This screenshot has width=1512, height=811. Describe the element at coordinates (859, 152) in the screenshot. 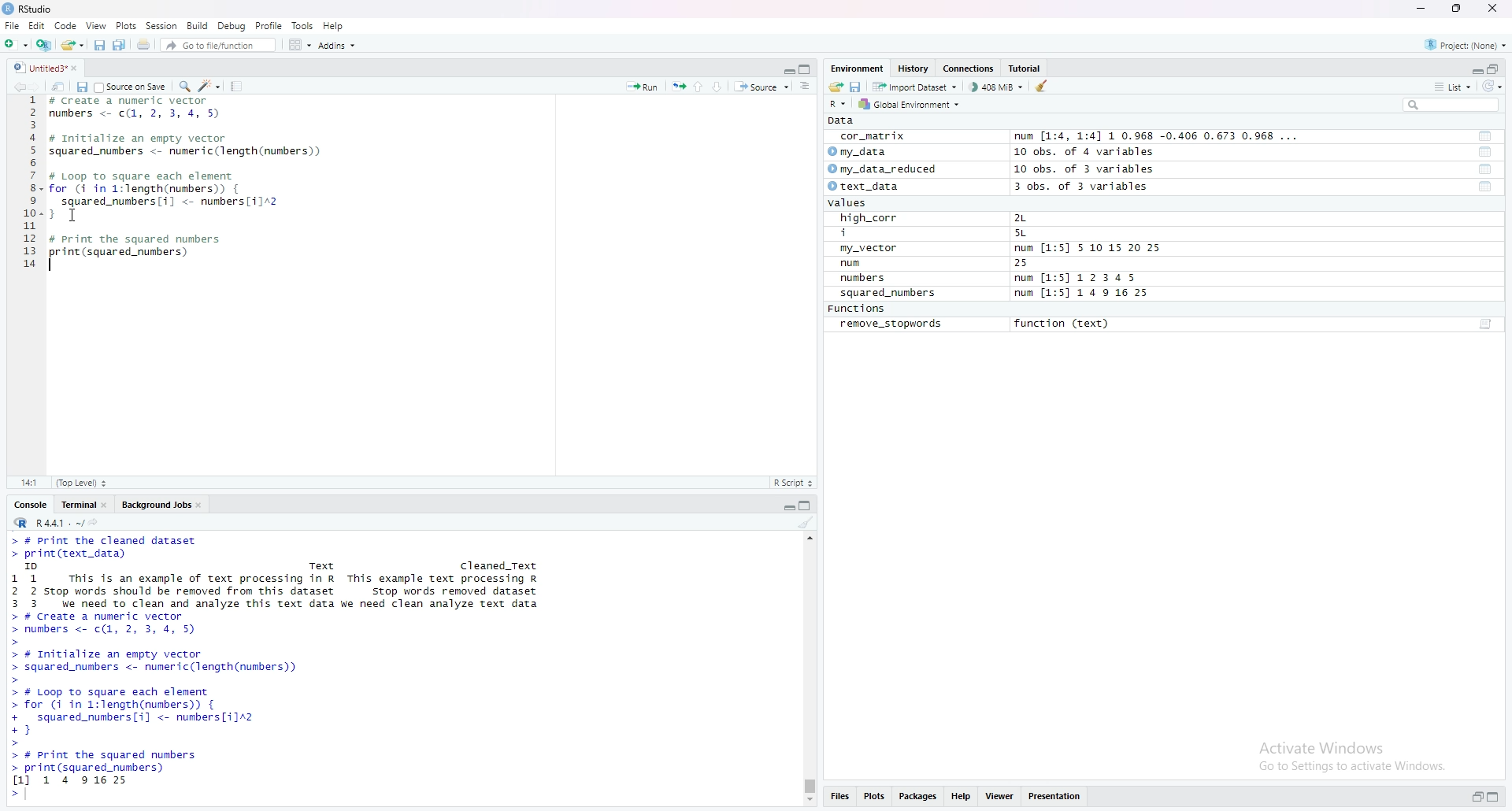

I see `© my_data` at that location.